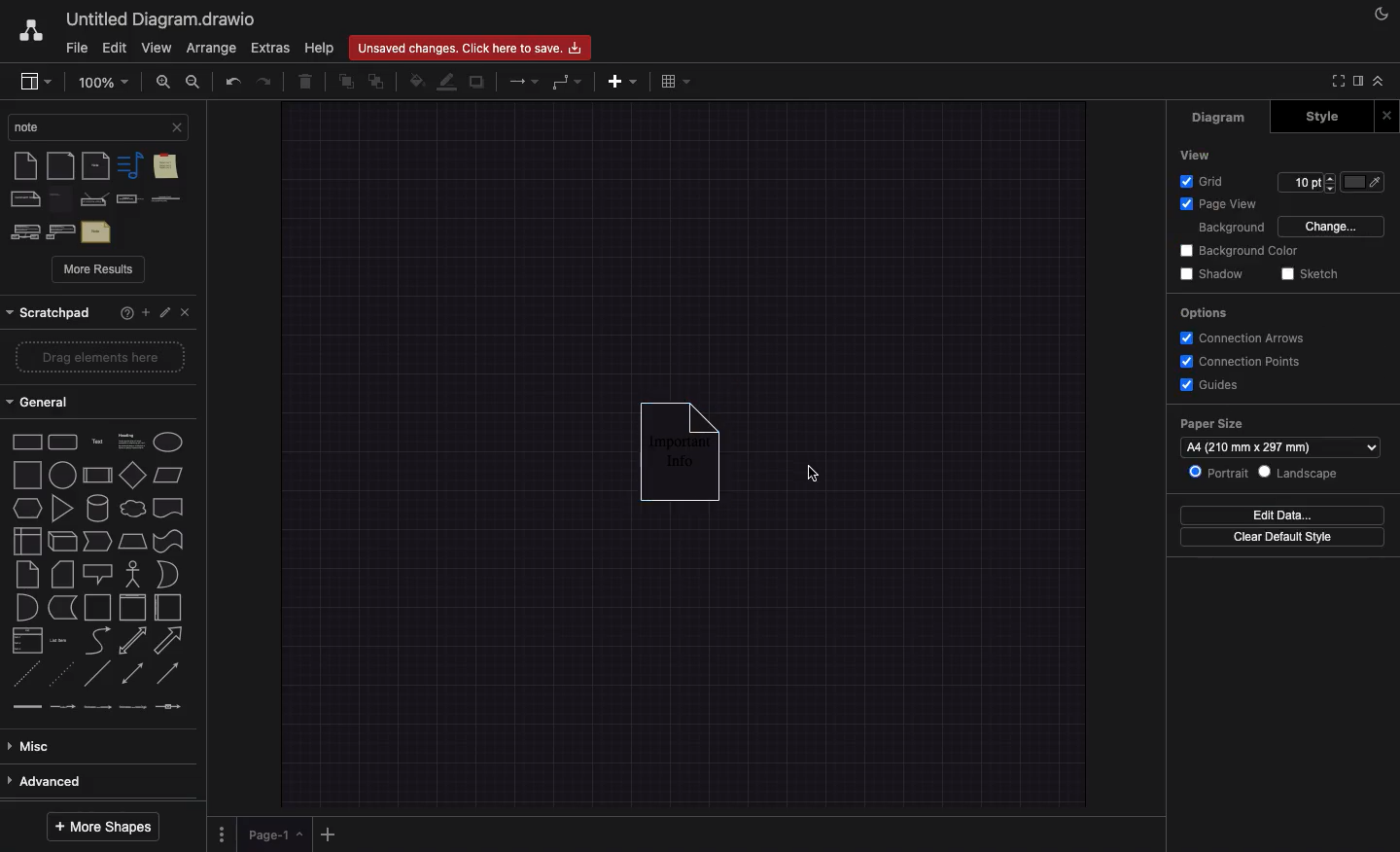  I want to click on Untitled Diagram.draw.io, so click(163, 18).